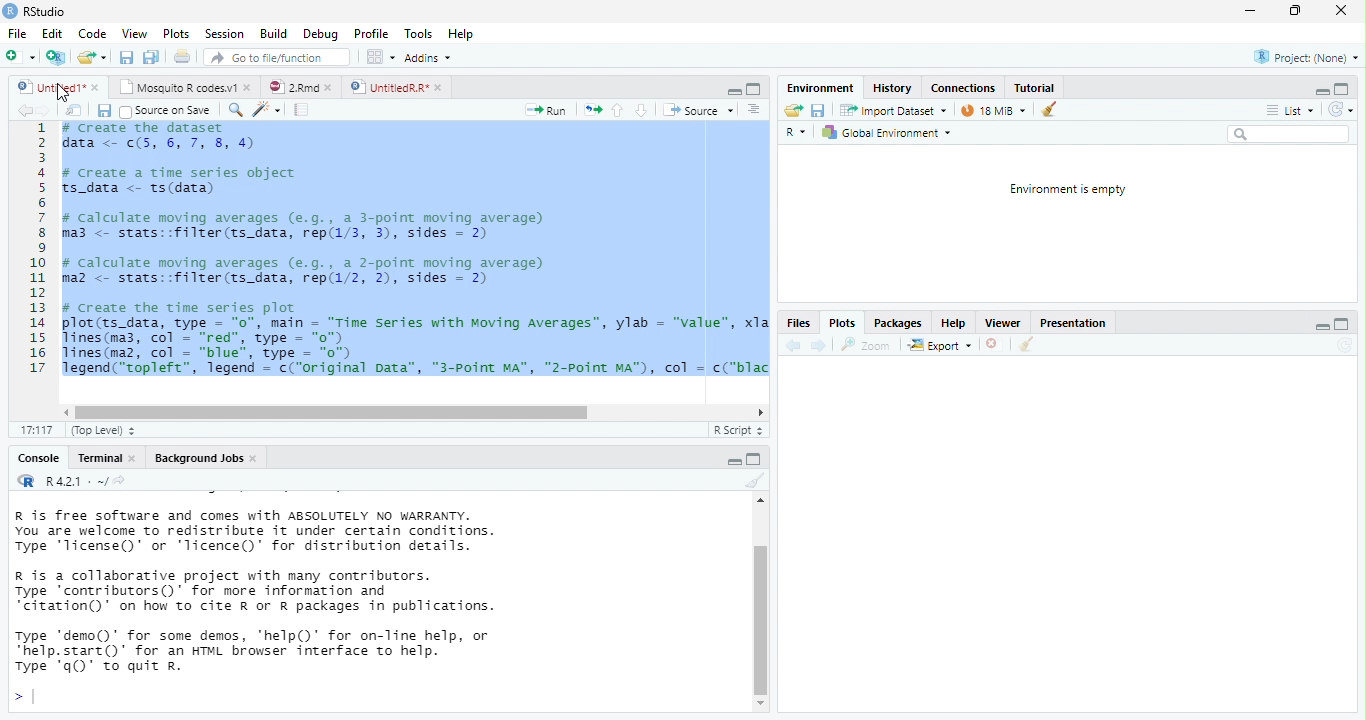 The image size is (1366, 720). Describe the element at coordinates (103, 111) in the screenshot. I see `save` at that location.